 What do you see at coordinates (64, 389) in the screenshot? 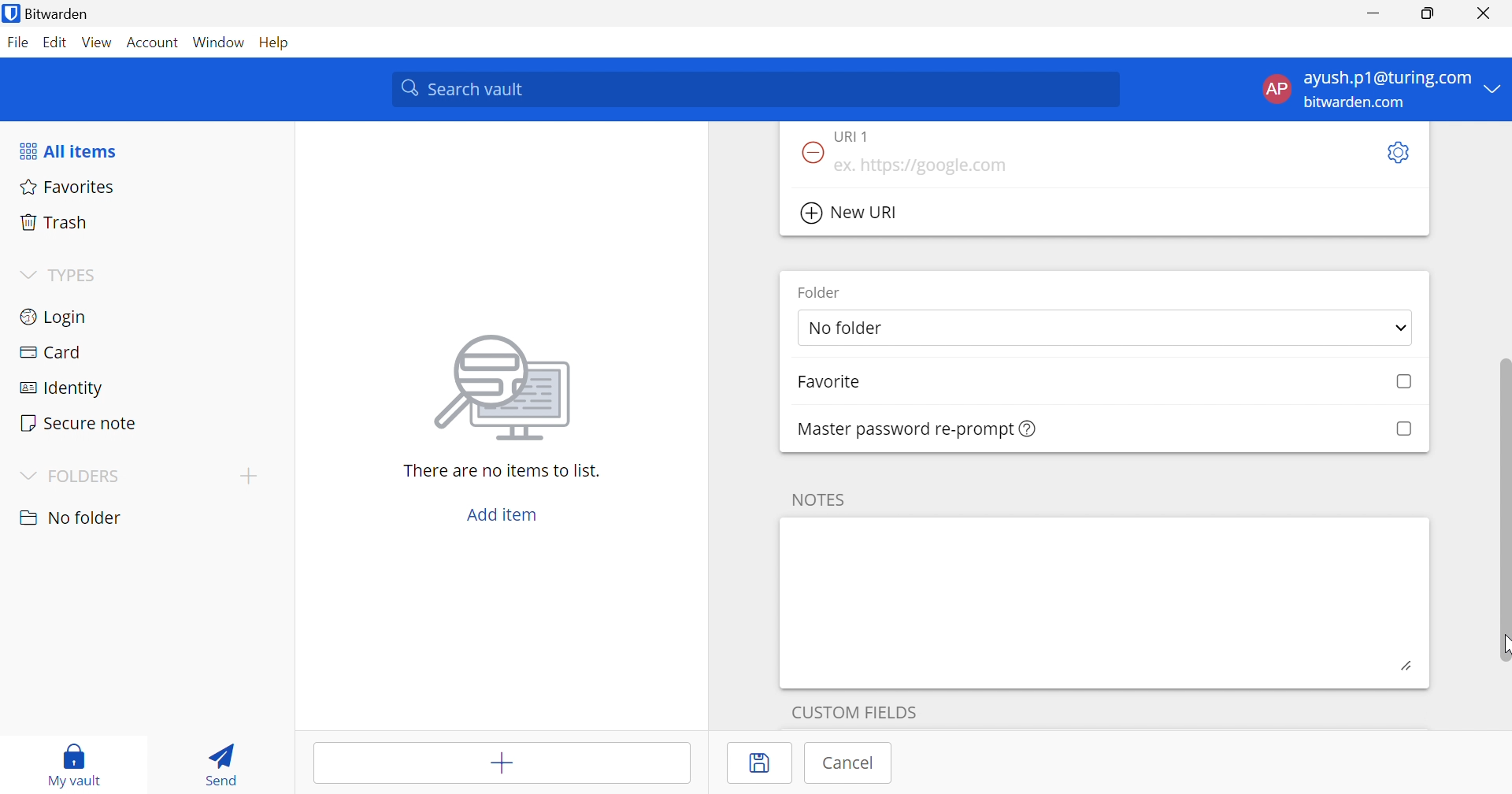
I see `Identity` at bounding box center [64, 389].